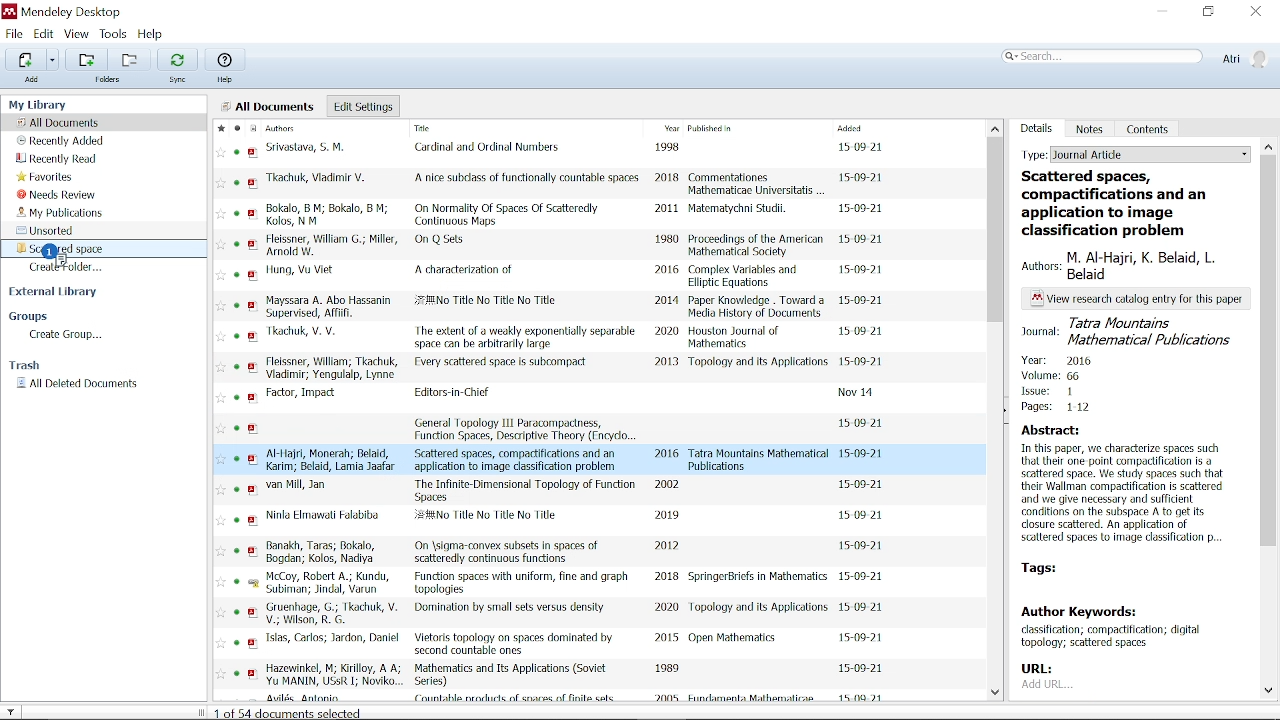  I want to click on title, so click(504, 363).